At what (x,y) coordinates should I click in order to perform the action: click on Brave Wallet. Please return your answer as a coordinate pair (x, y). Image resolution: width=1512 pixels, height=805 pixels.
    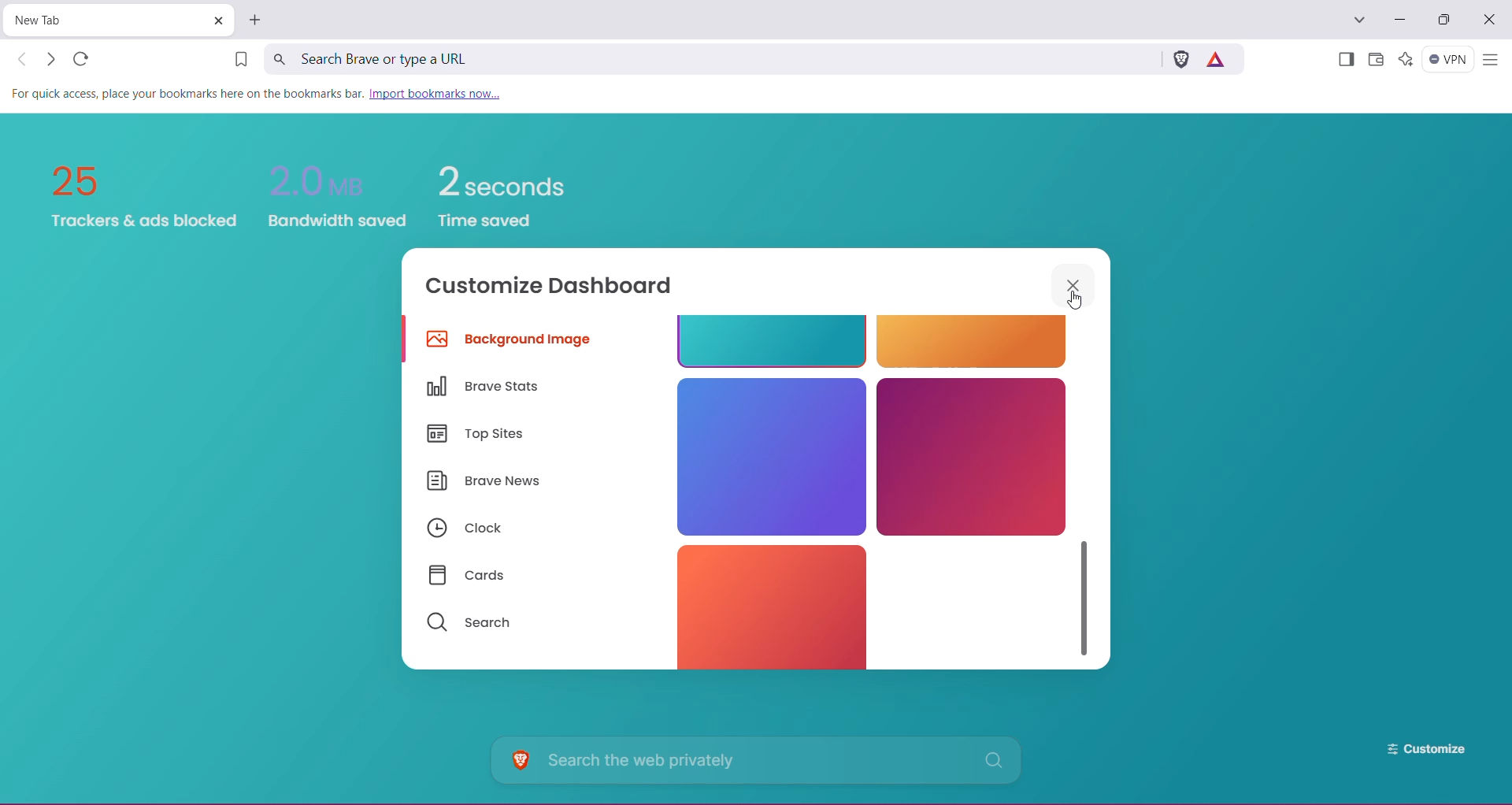
    Looking at the image, I should click on (1376, 61).